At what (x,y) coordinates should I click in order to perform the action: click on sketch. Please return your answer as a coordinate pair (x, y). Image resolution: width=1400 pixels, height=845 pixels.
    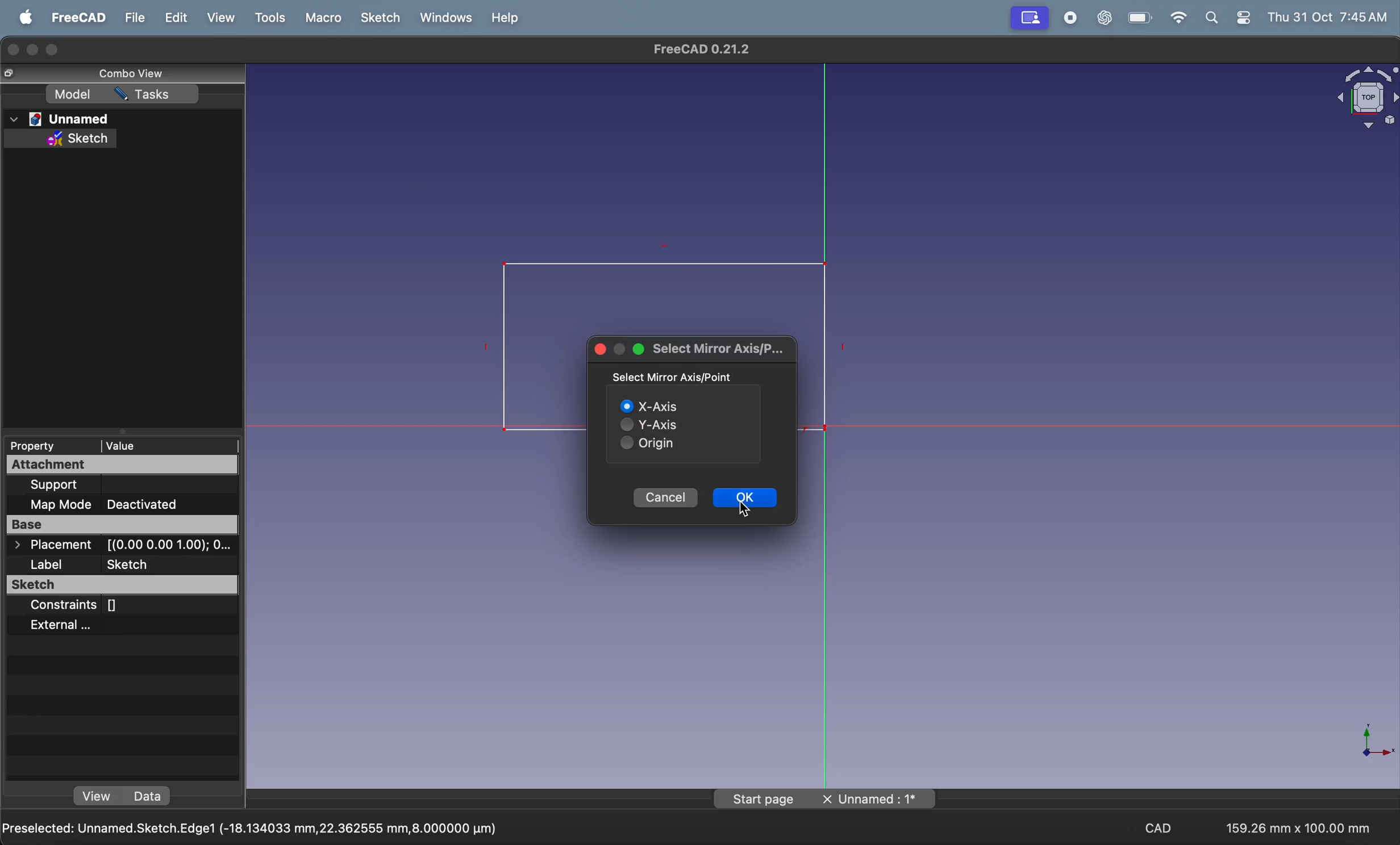
    Looking at the image, I should click on (63, 139).